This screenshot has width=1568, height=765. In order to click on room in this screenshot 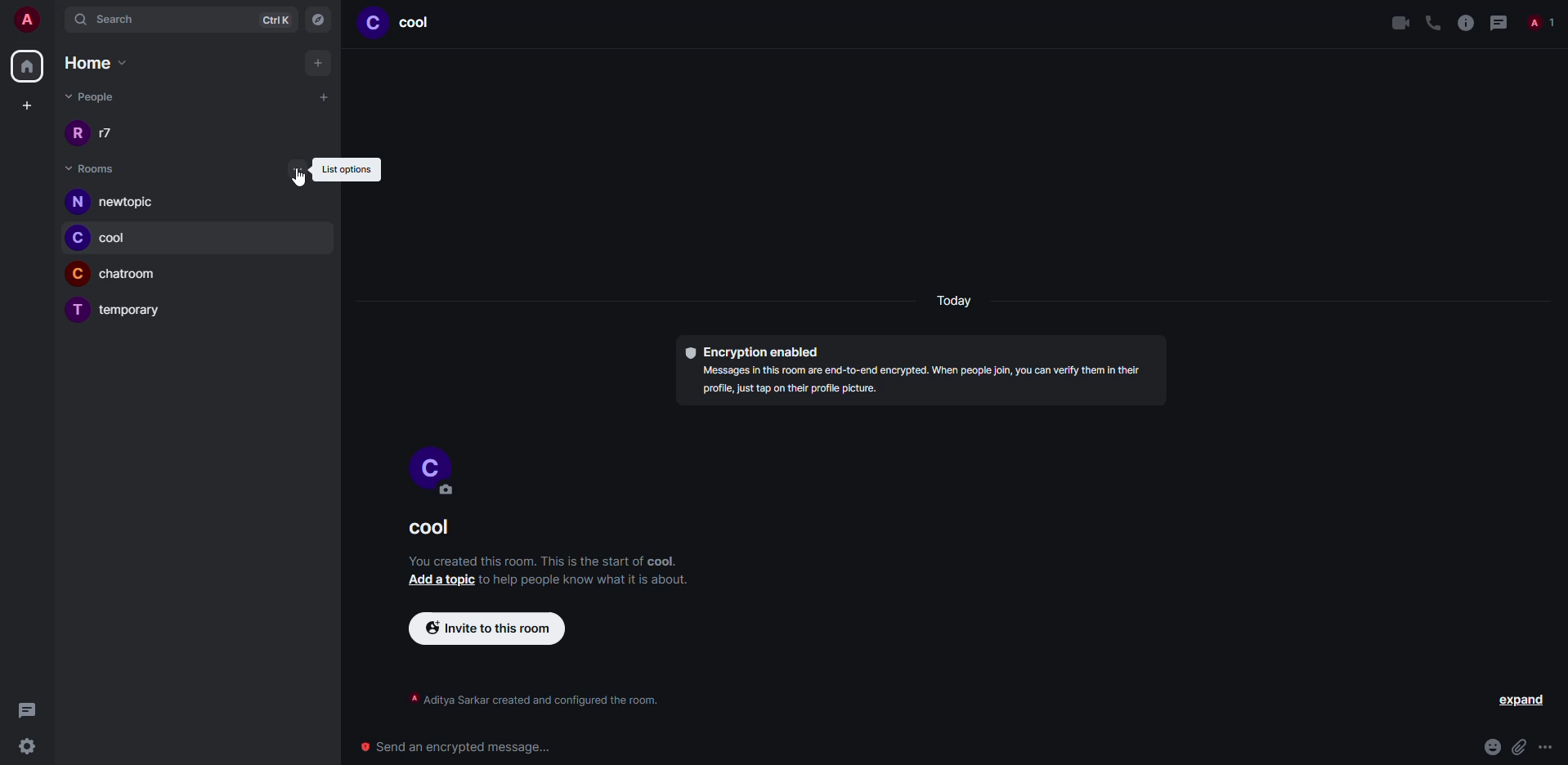, I will do `click(422, 530)`.